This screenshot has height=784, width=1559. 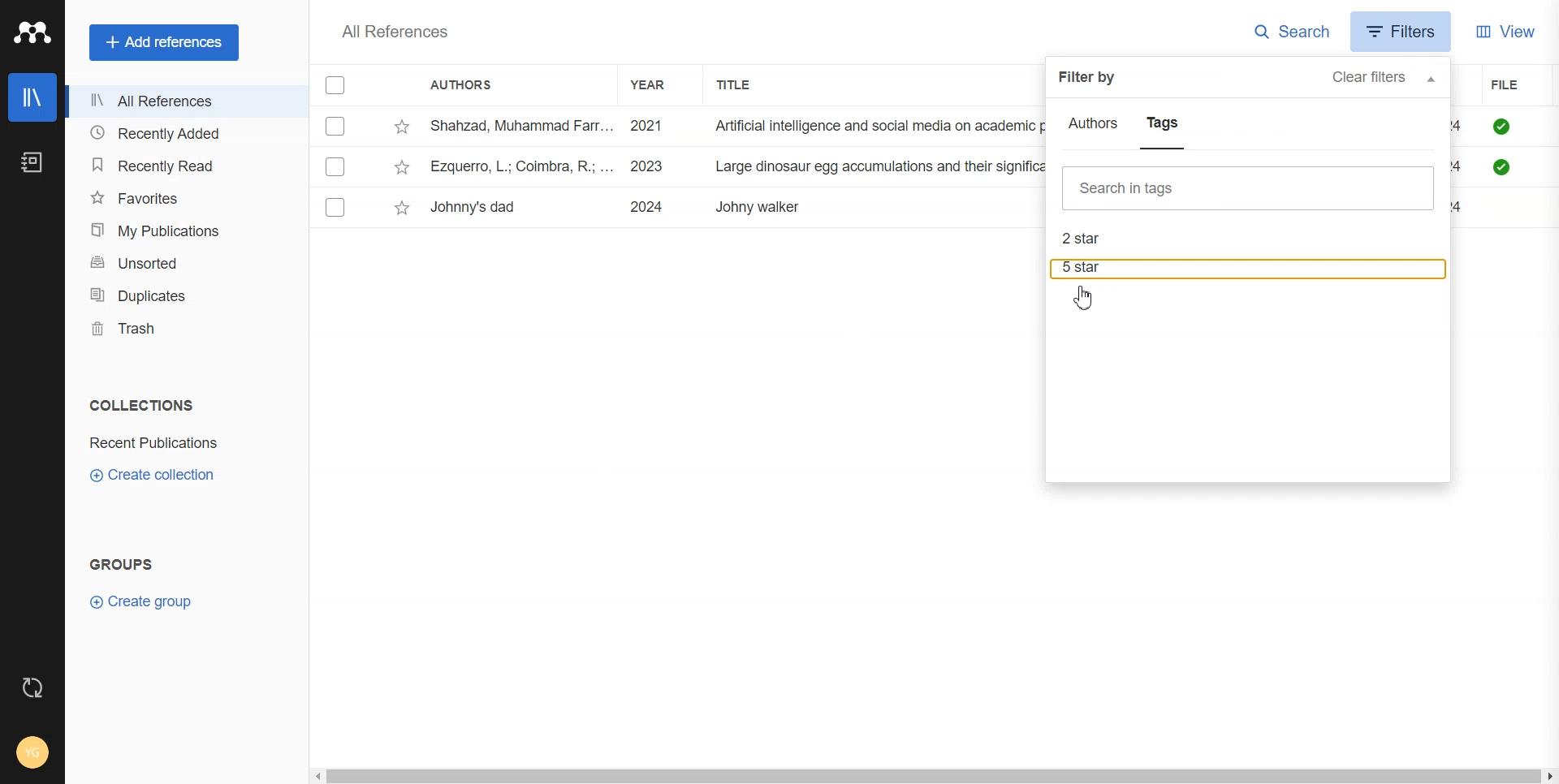 What do you see at coordinates (1293, 32) in the screenshot?
I see `Search` at bounding box center [1293, 32].